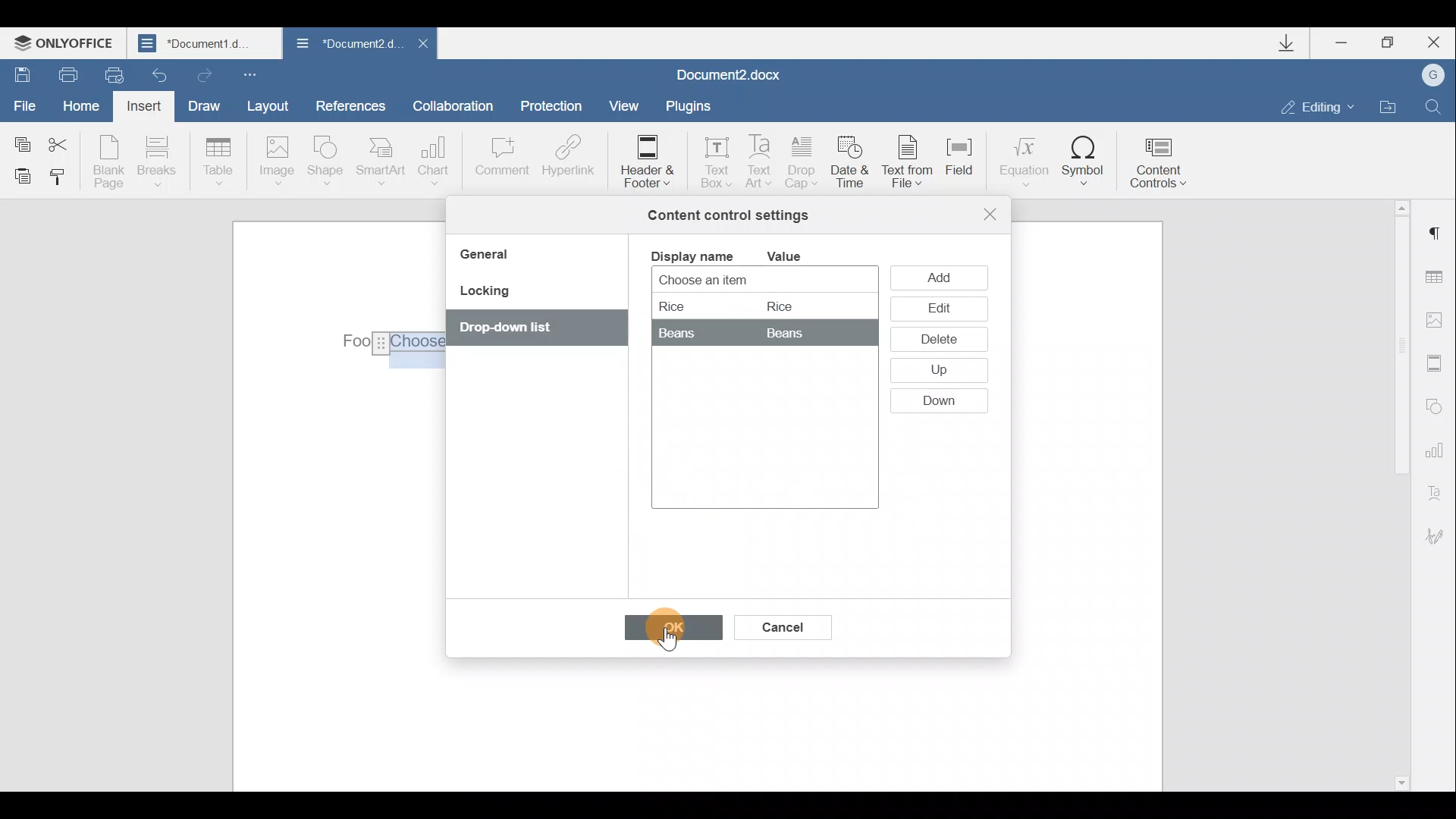 The height and width of the screenshot is (819, 1456). Describe the element at coordinates (1437, 448) in the screenshot. I see `Chart settings` at that location.